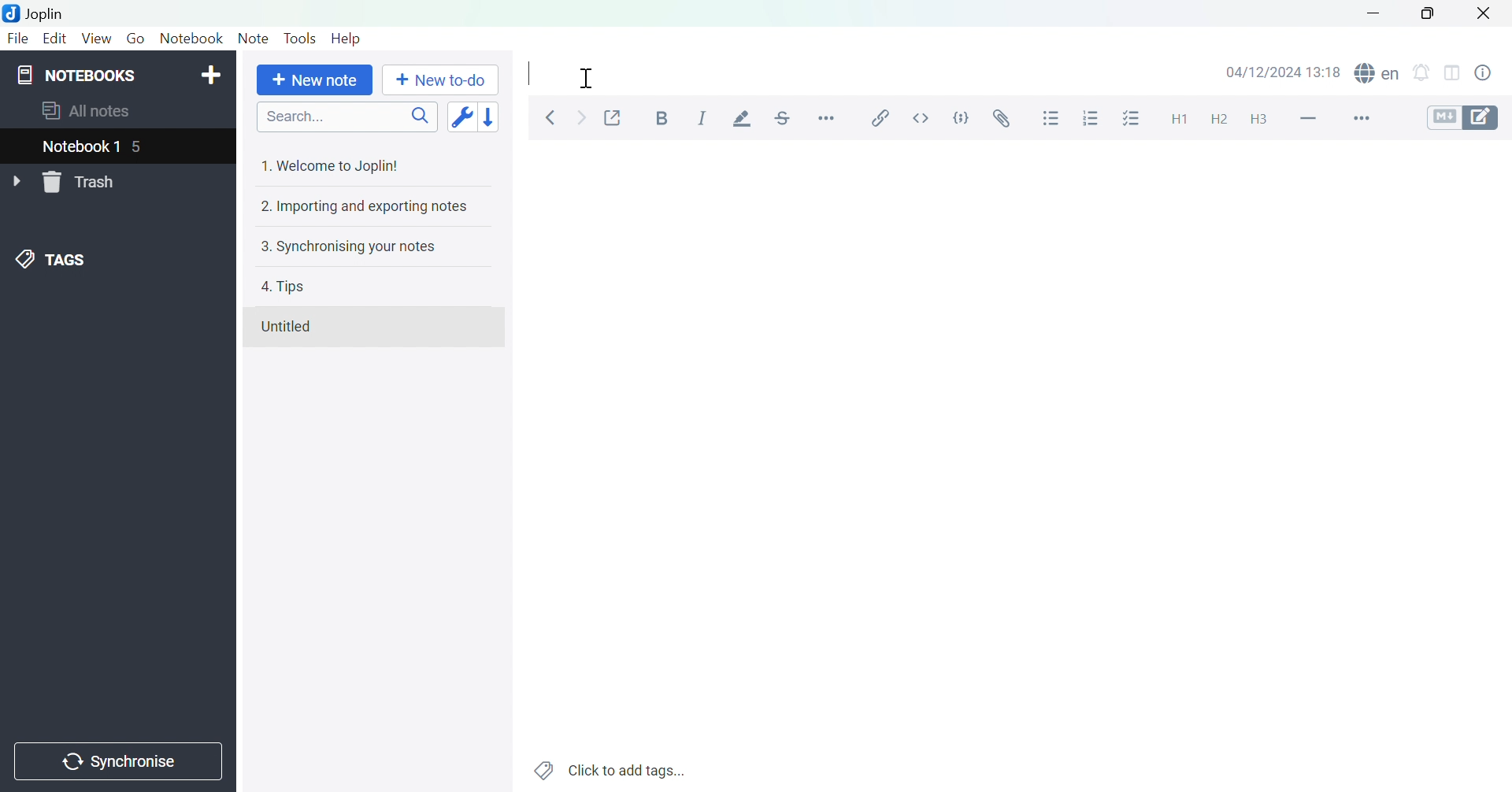  I want to click on Toggle sort order field, so click(460, 116).